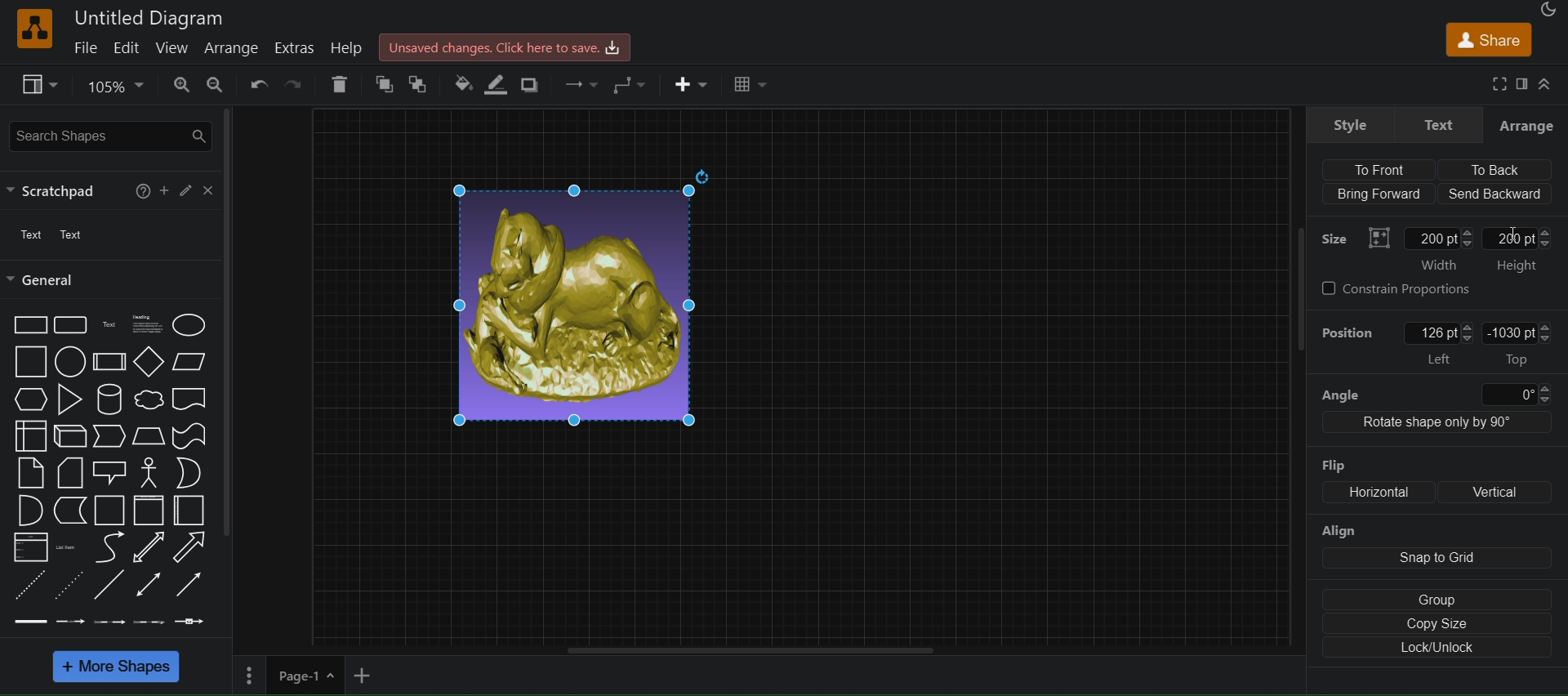 This screenshot has width=1568, height=696. I want to click on Untitled Diagram, so click(152, 19).